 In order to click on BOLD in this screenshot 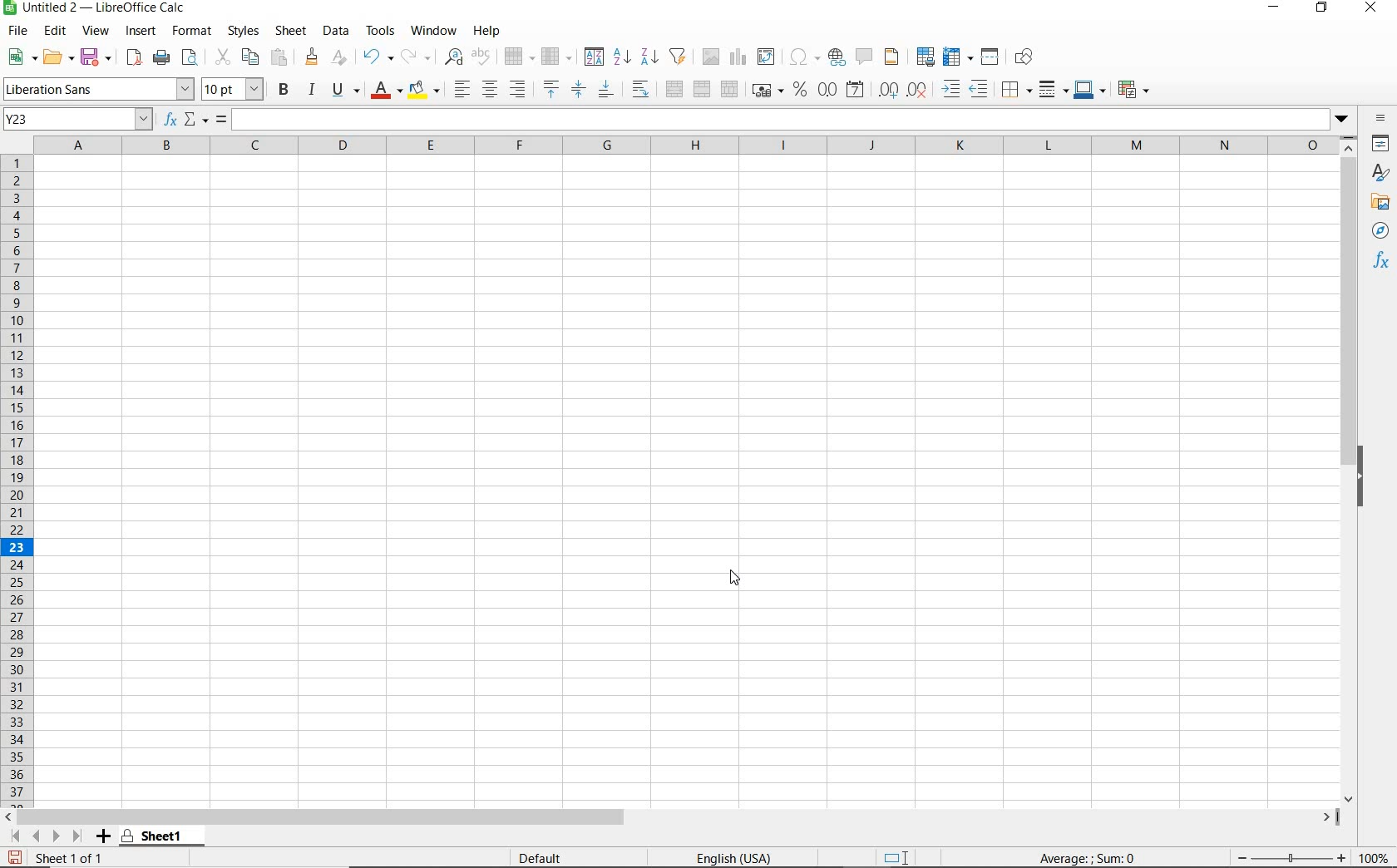, I will do `click(284, 91)`.